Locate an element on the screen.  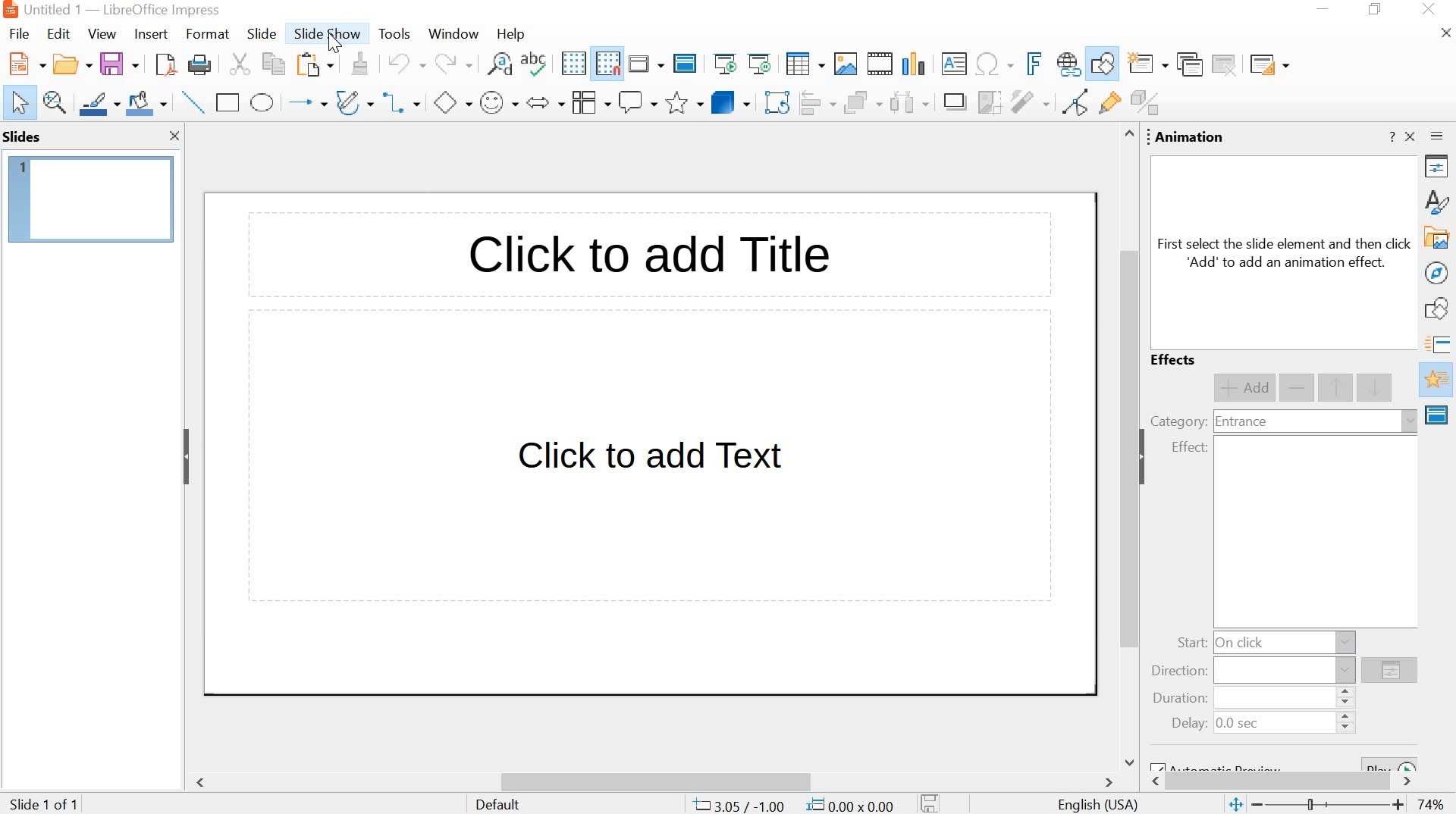
file menu is located at coordinates (24, 33).